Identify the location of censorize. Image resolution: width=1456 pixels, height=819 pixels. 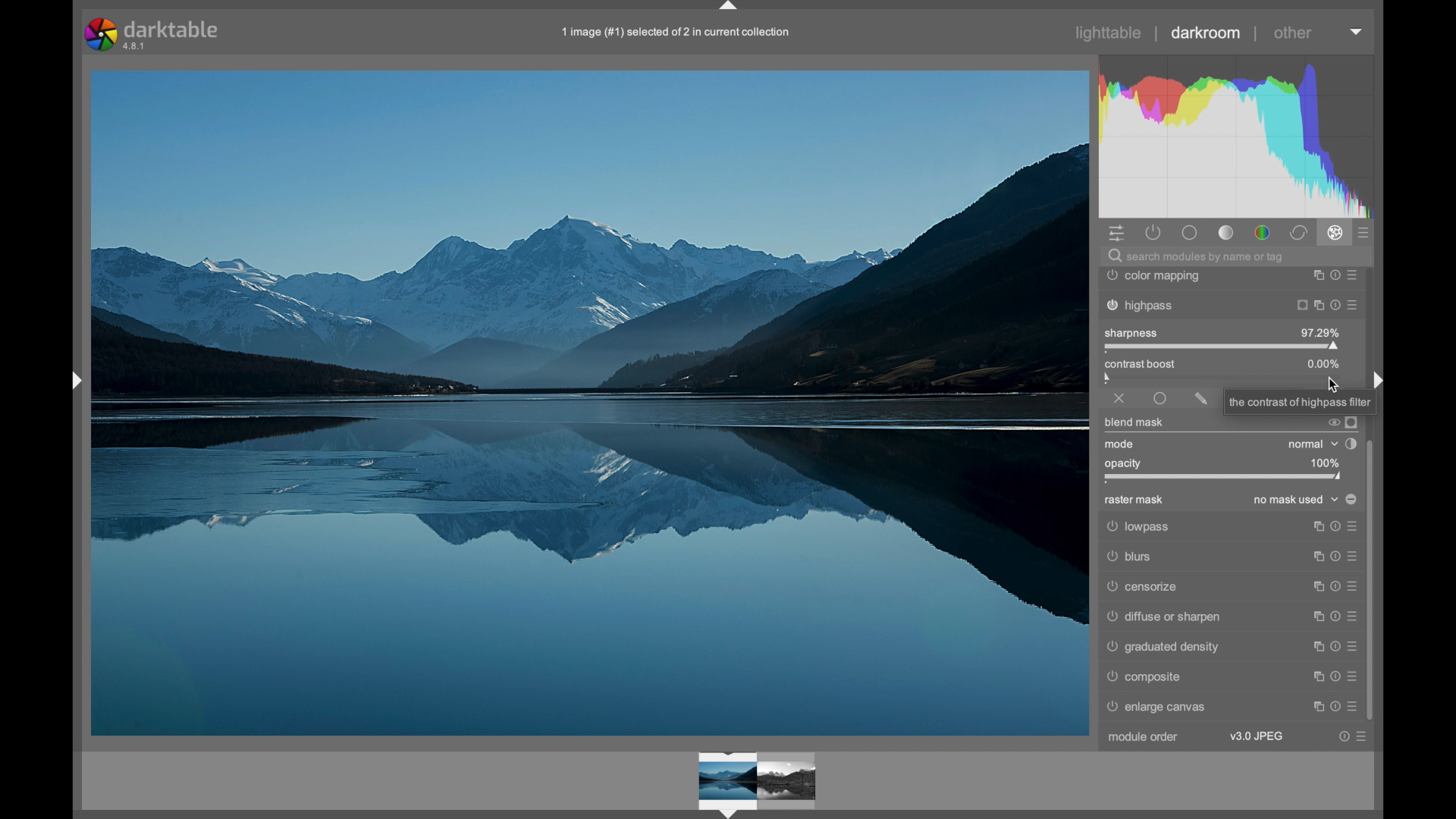
(1229, 587).